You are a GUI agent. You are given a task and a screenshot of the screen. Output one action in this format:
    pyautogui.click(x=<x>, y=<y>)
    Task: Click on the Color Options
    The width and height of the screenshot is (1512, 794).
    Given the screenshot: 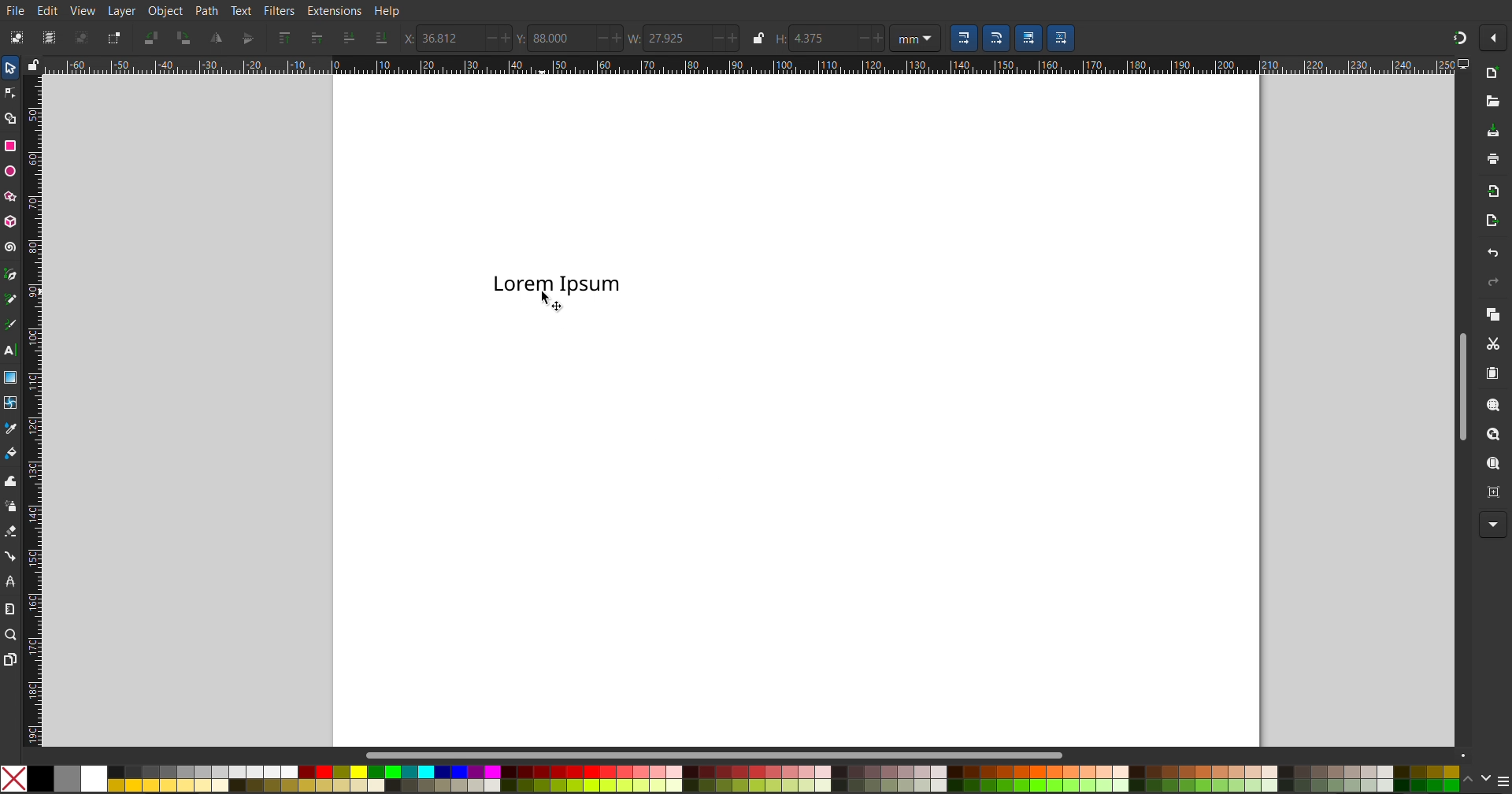 What is the action you would take?
    pyautogui.click(x=1484, y=778)
    